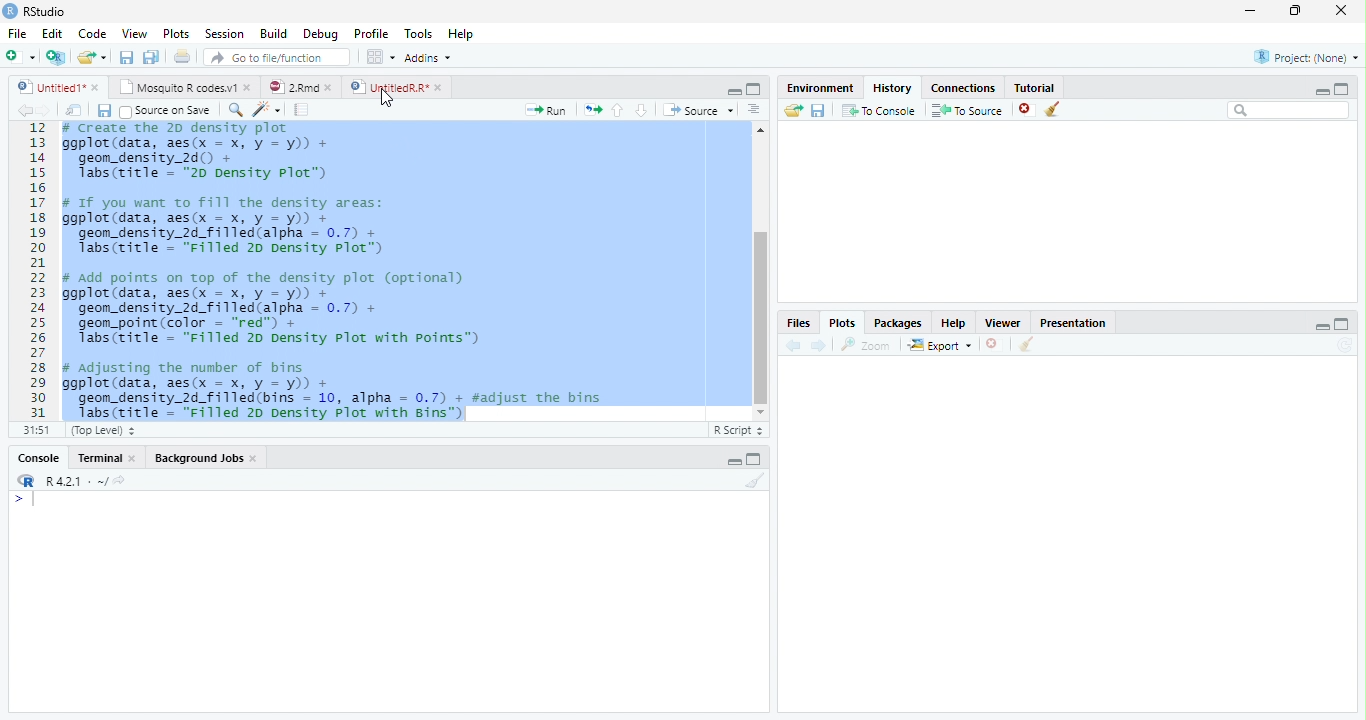  I want to click on close, so click(1026, 110).